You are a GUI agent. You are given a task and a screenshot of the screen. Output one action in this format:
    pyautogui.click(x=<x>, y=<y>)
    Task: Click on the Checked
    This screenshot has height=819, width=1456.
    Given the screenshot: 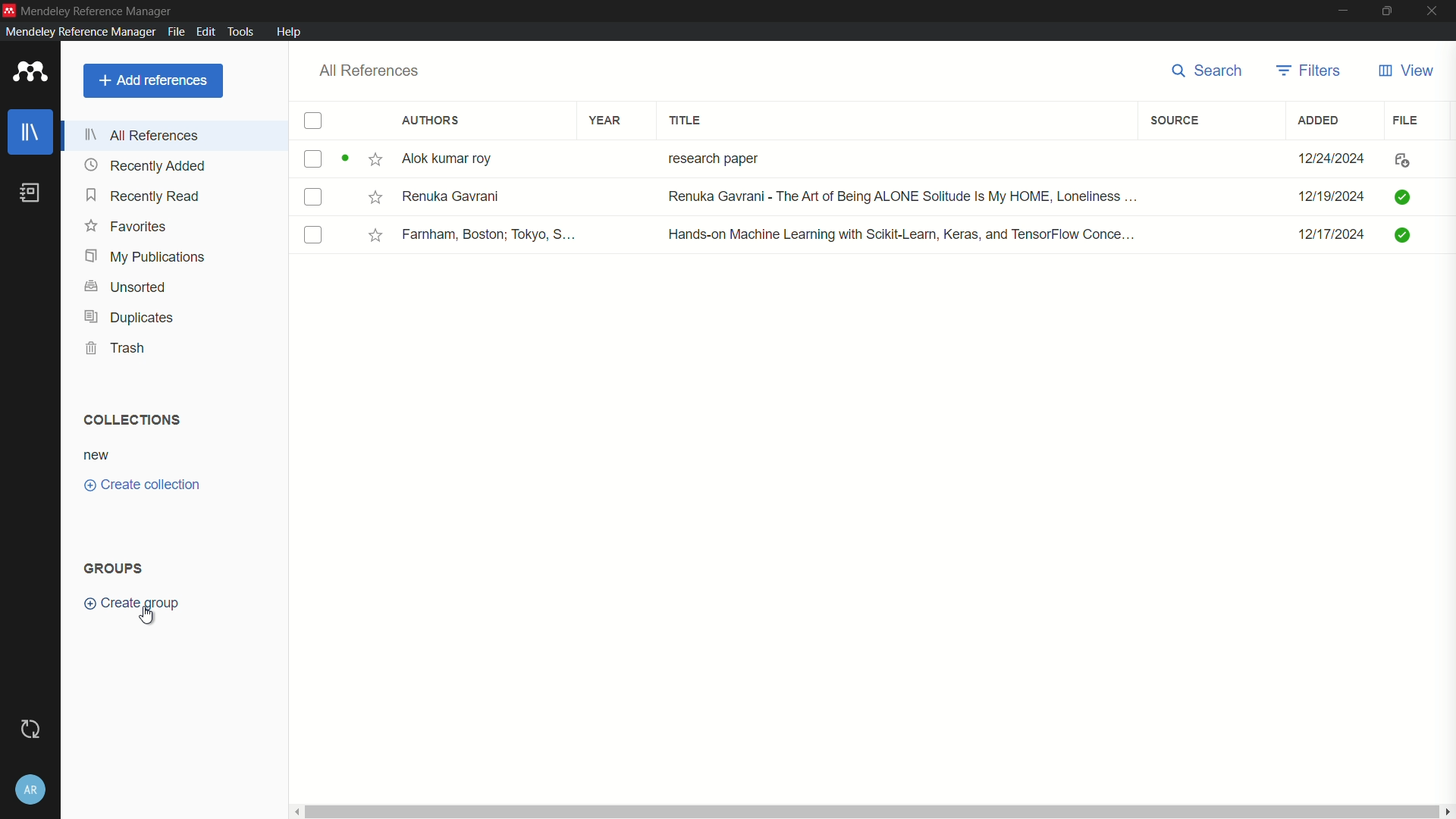 What is the action you would take?
    pyautogui.click(x=1405, y=234)
    